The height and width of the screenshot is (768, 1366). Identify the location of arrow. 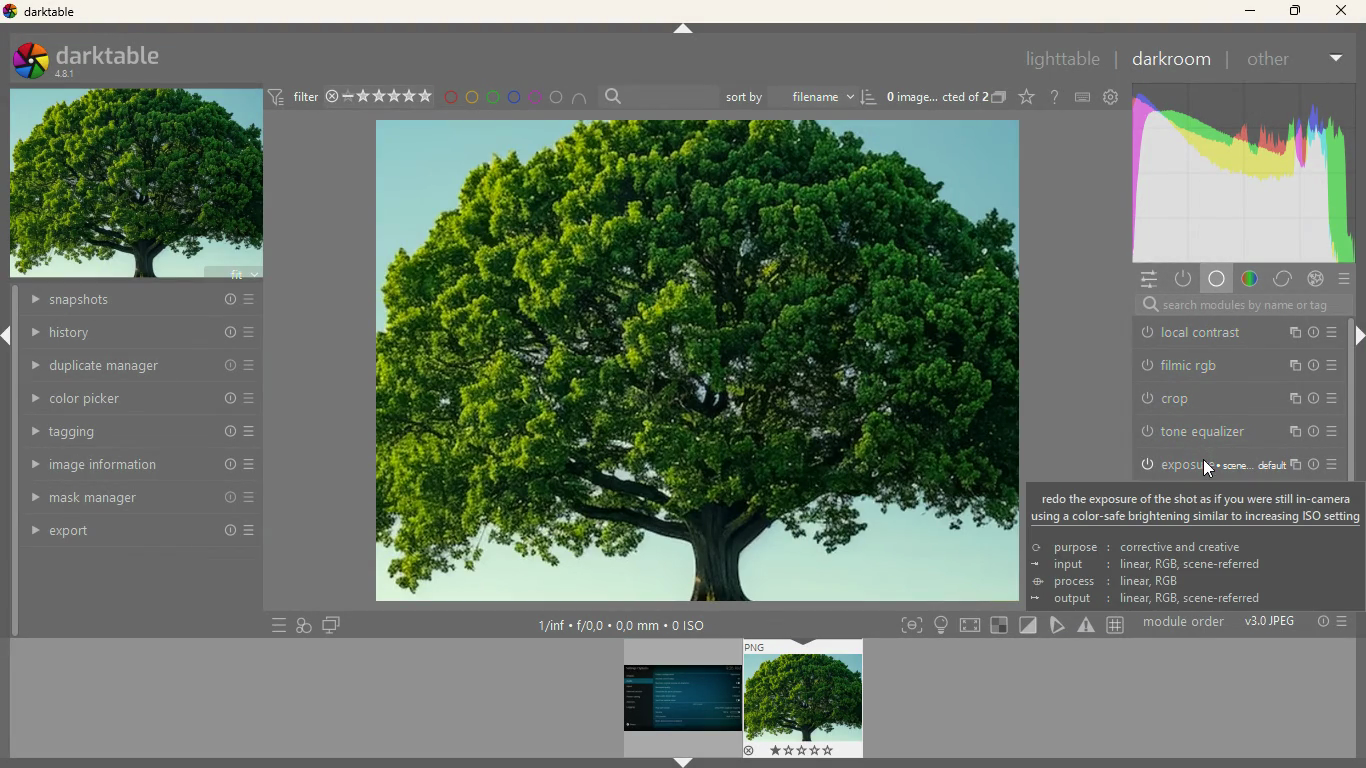
(684, 30).